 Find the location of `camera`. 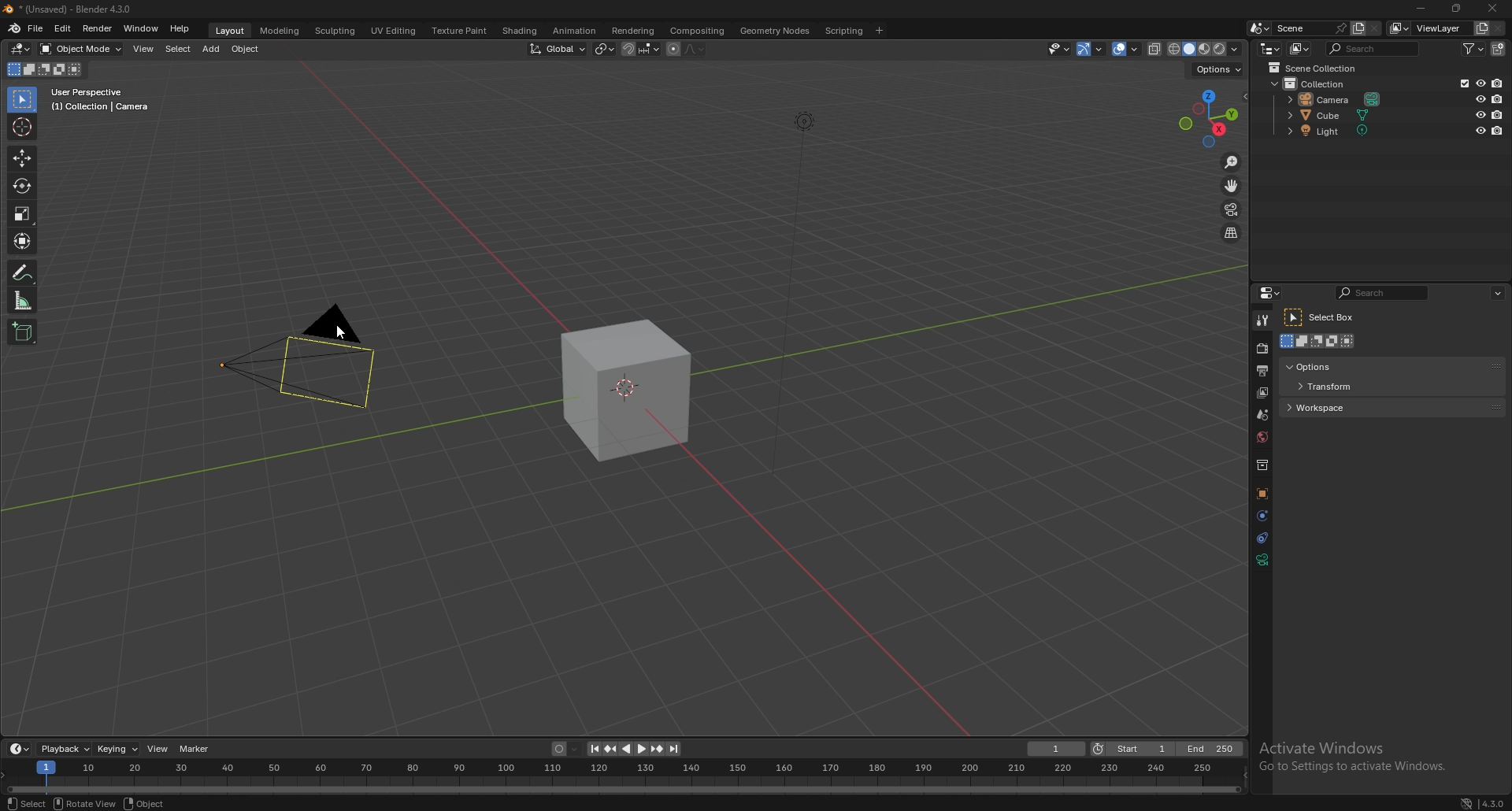

camera is located at coordinates (298, 365).